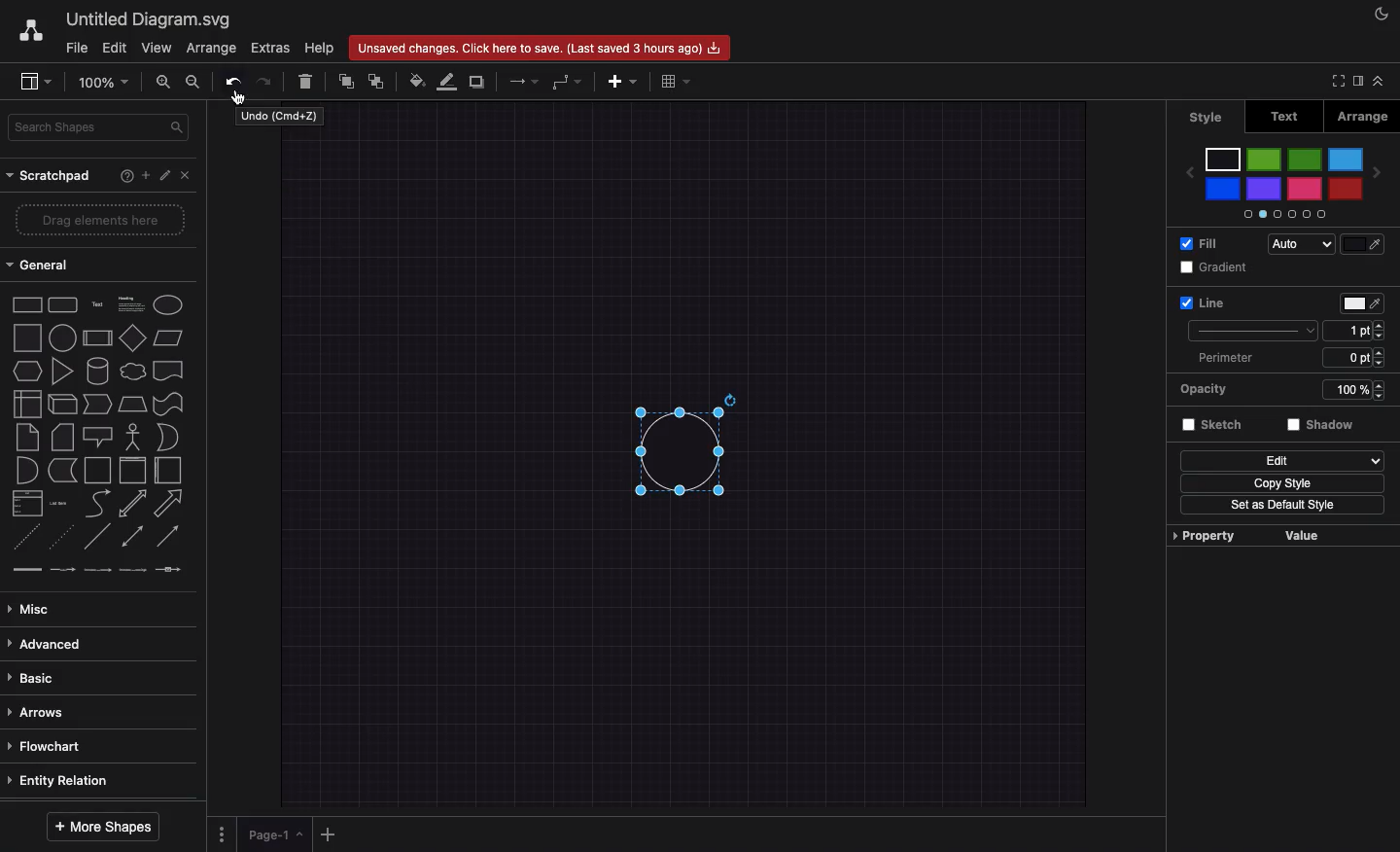 The height and width of the screenshot is (852, 1400). Describe the element at coordinates (194, 83) in the screenshot. I see `Zoom out` at that location.